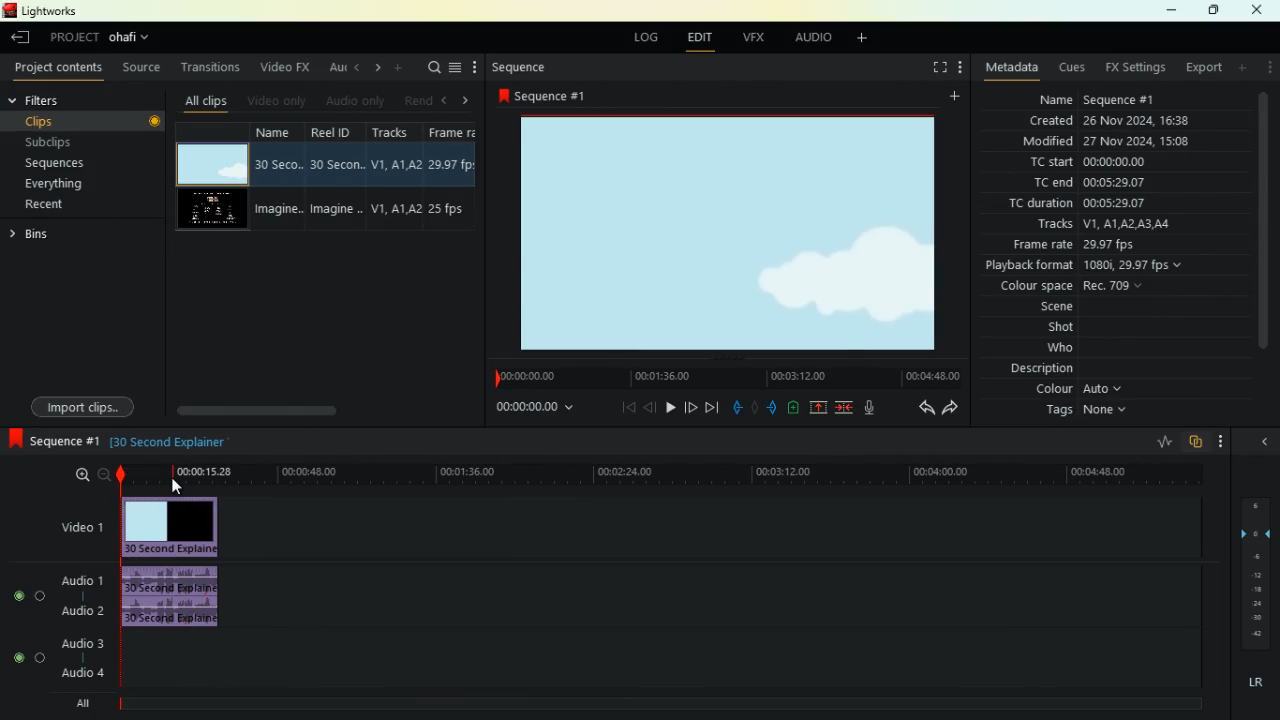  Describe the element at coordinates (279, 131) in the screenshot. I see `name` at that location.